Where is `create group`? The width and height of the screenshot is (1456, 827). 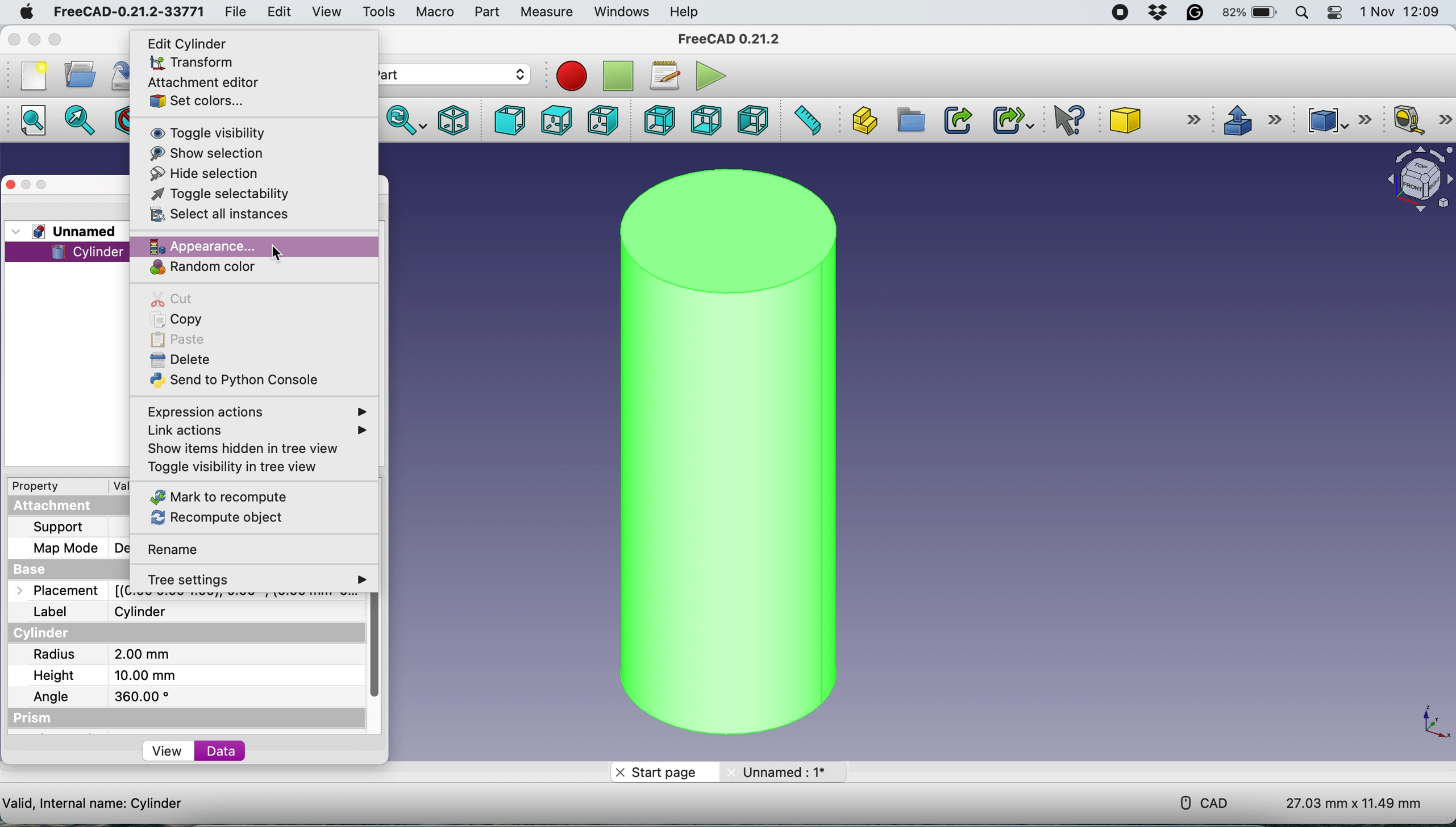 create group is located at coordinates (909, 120).